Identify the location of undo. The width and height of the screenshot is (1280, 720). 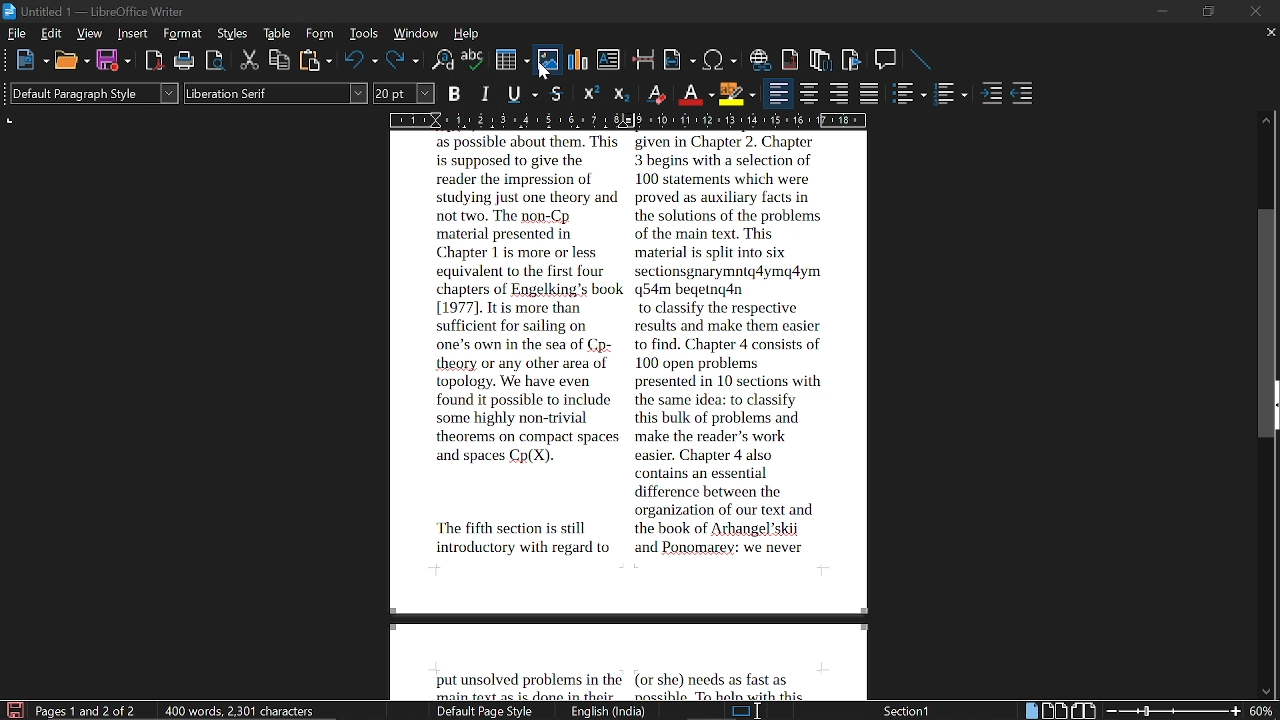
(359, 59).